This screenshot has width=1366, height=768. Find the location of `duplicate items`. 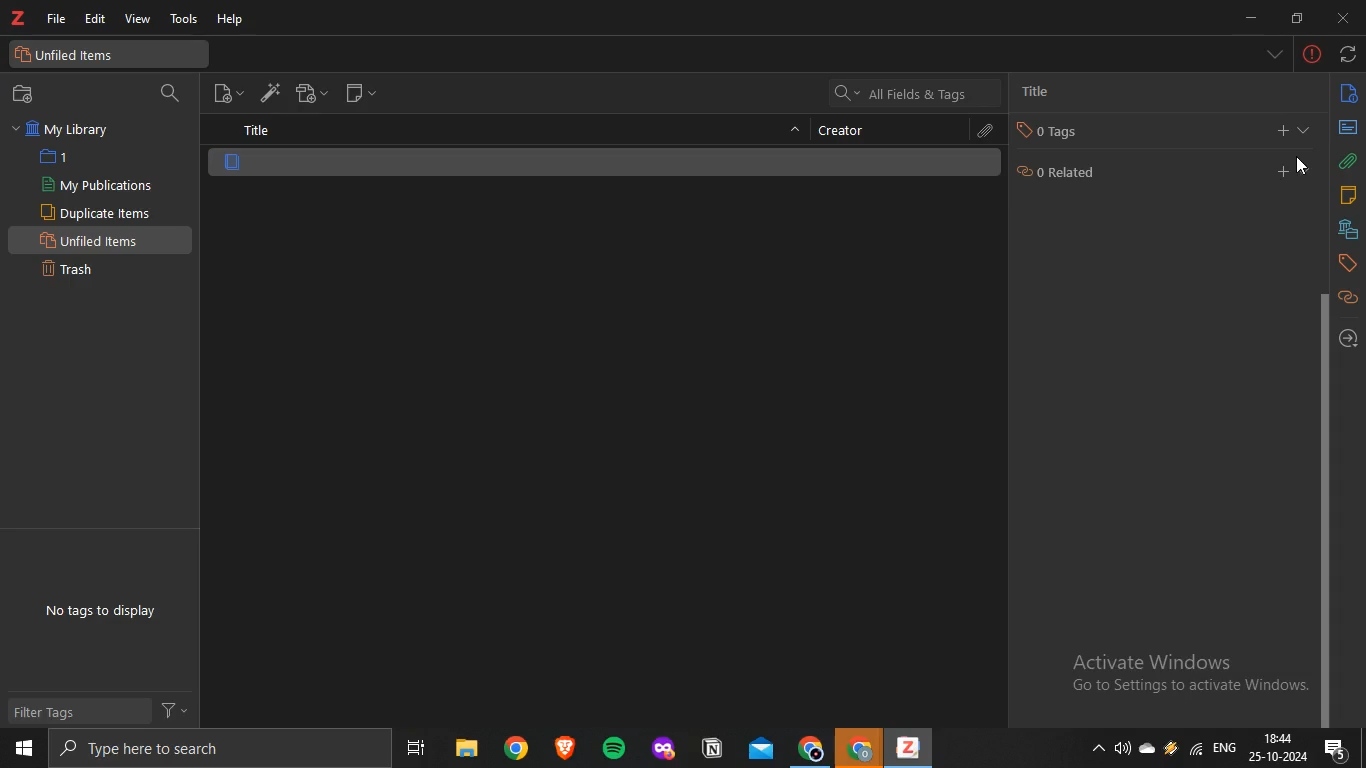

duplicate items is located at coordinates (99, 212).